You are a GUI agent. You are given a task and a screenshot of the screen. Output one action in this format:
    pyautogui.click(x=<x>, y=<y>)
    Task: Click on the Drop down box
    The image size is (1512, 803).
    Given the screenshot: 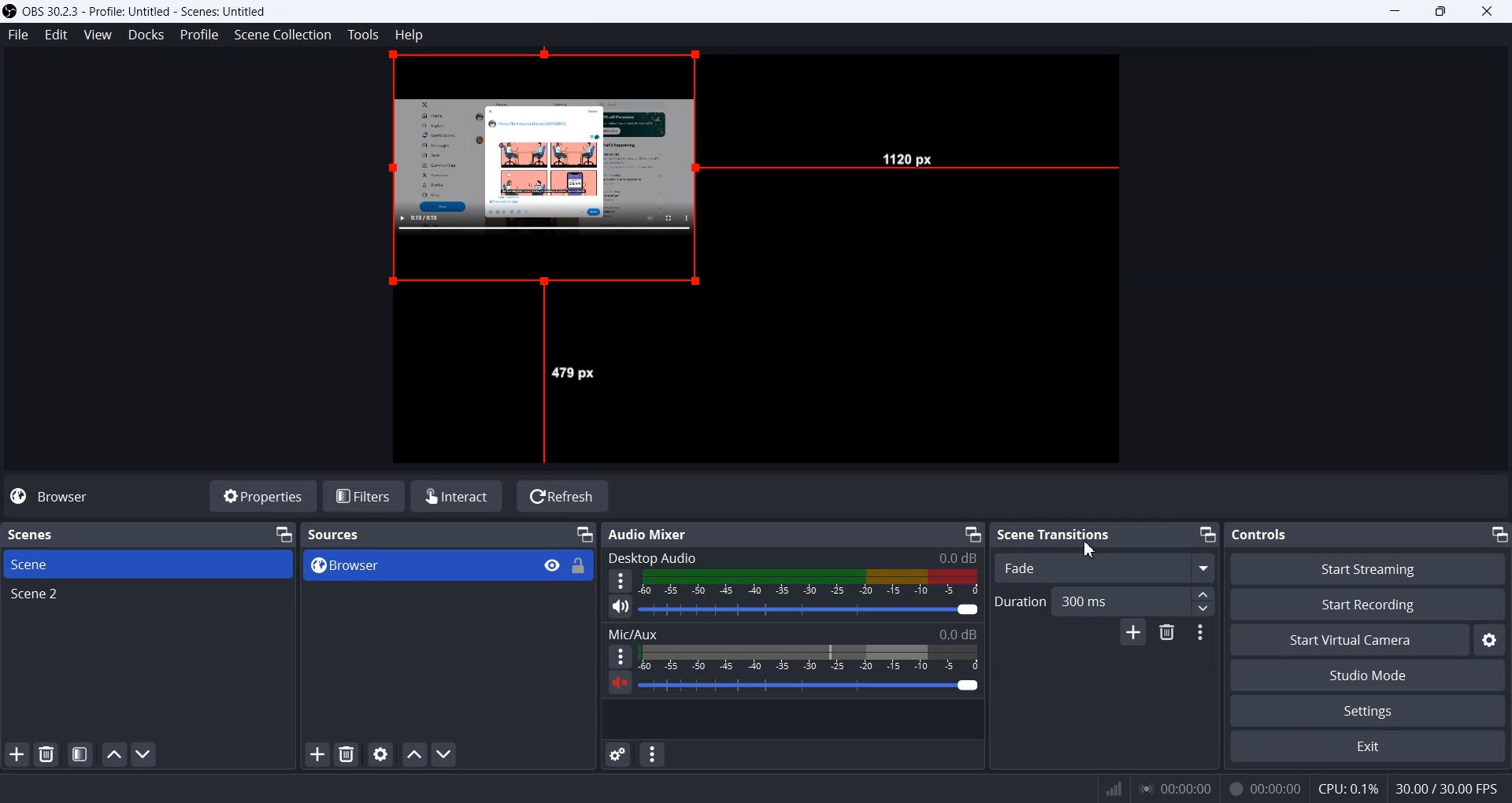 What is the action you would take?
    pyautogui.click(x=1201, y=567)
    